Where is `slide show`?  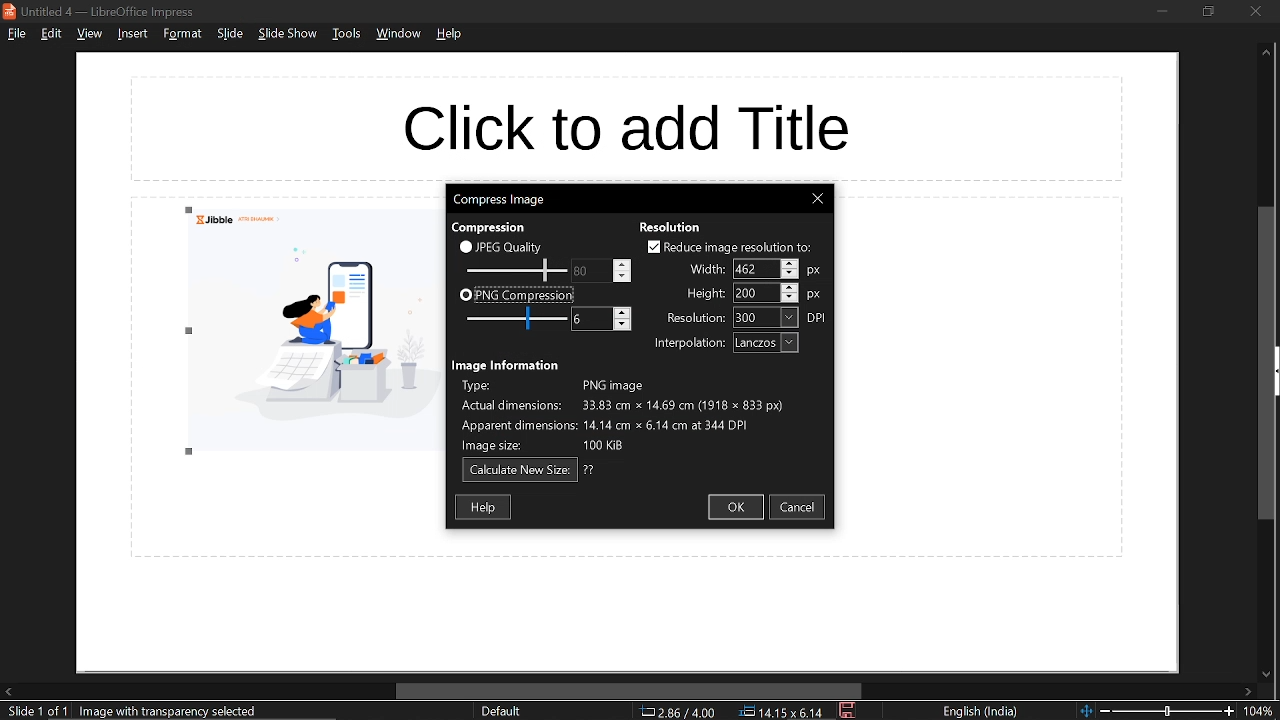
slide show is located at coordinates (288, 34).